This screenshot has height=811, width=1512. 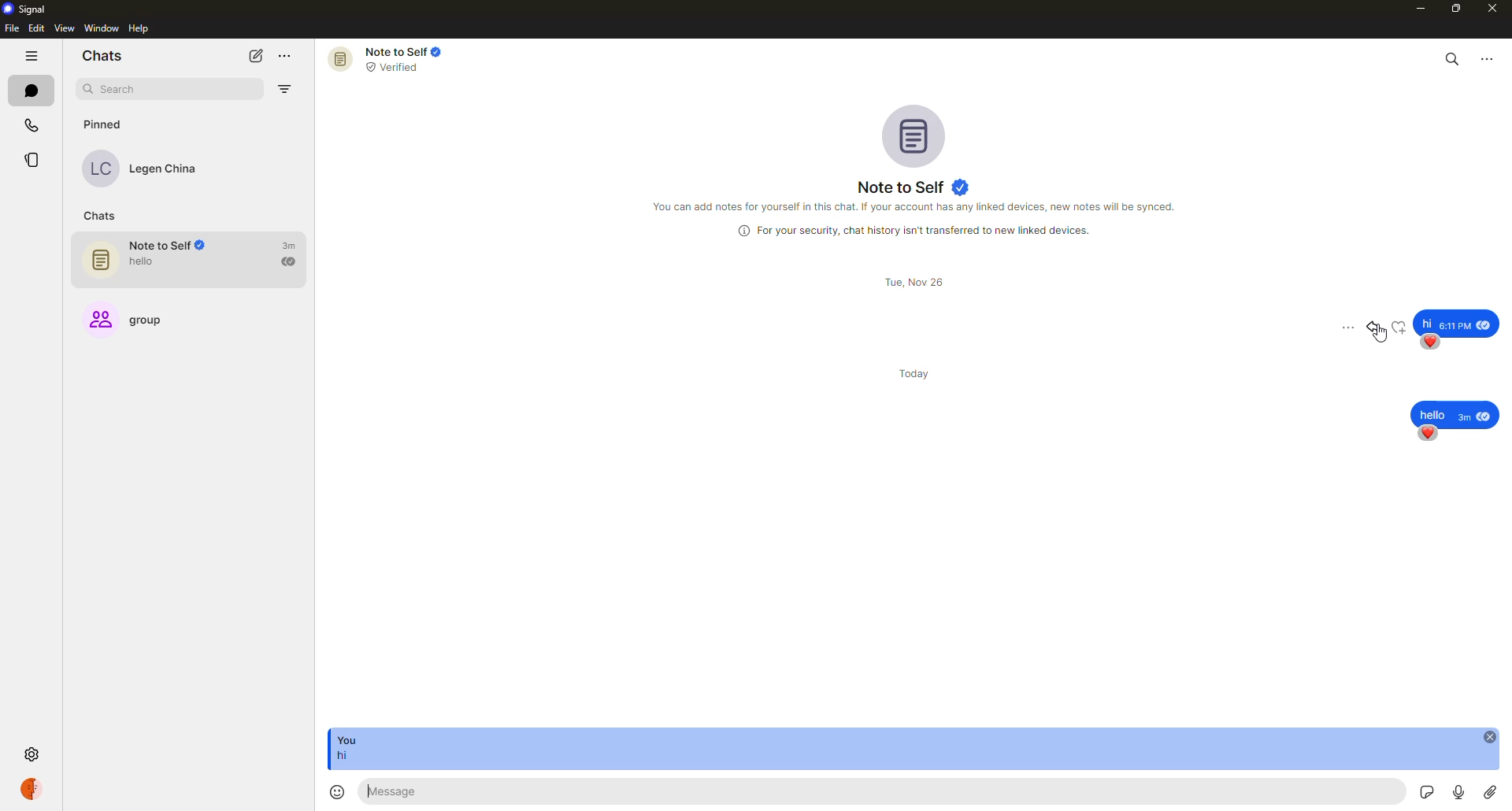 What do you see at coordinates (1489, 738) in the screenshot?
I see `close` at bounding box center [1489, 738].